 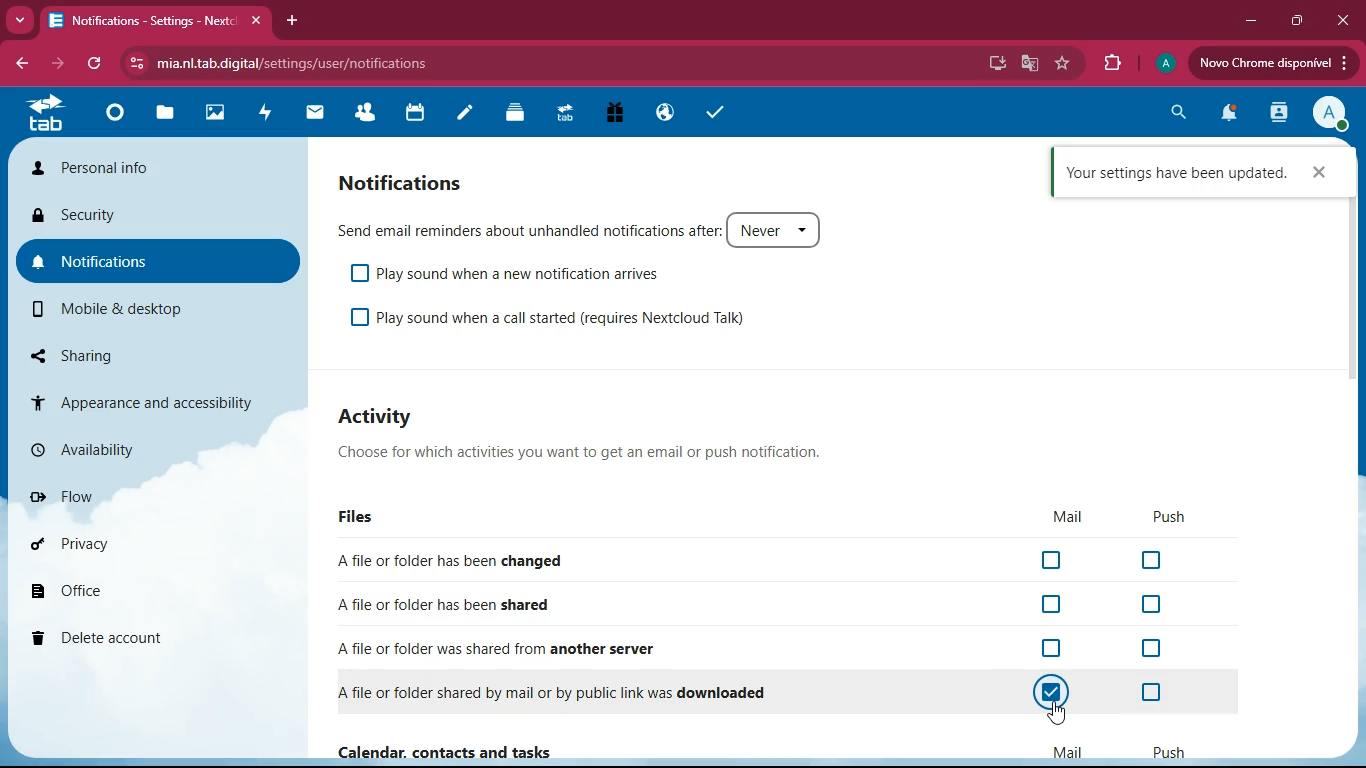 I want to click on files, so click(x=361, y=517).